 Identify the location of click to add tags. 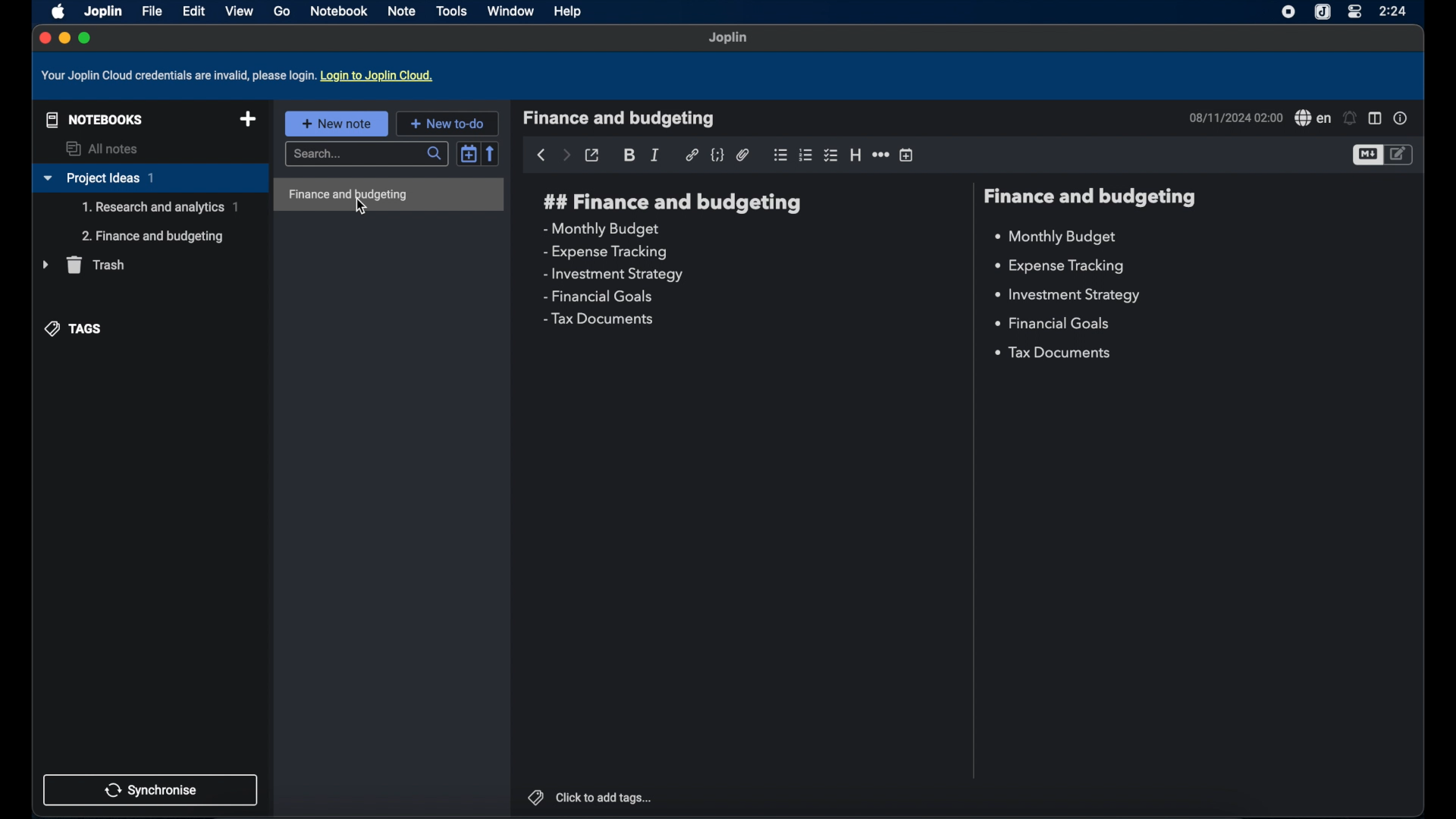
(589, 796).